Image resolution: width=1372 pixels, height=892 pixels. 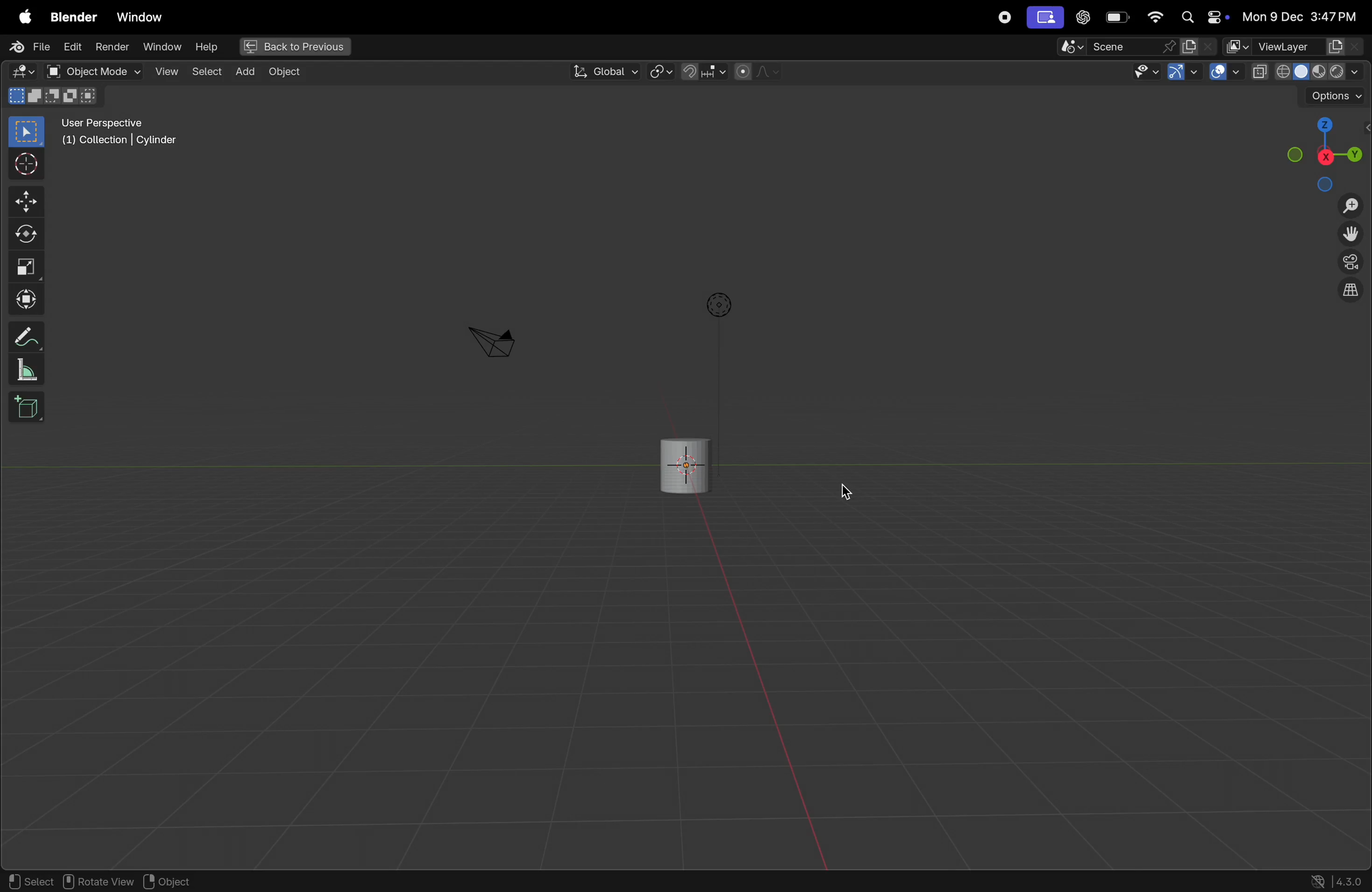 What do you see at coordinates (24, 337) in the screenshot?
I see `annotate` at bounding box center [24, 337].